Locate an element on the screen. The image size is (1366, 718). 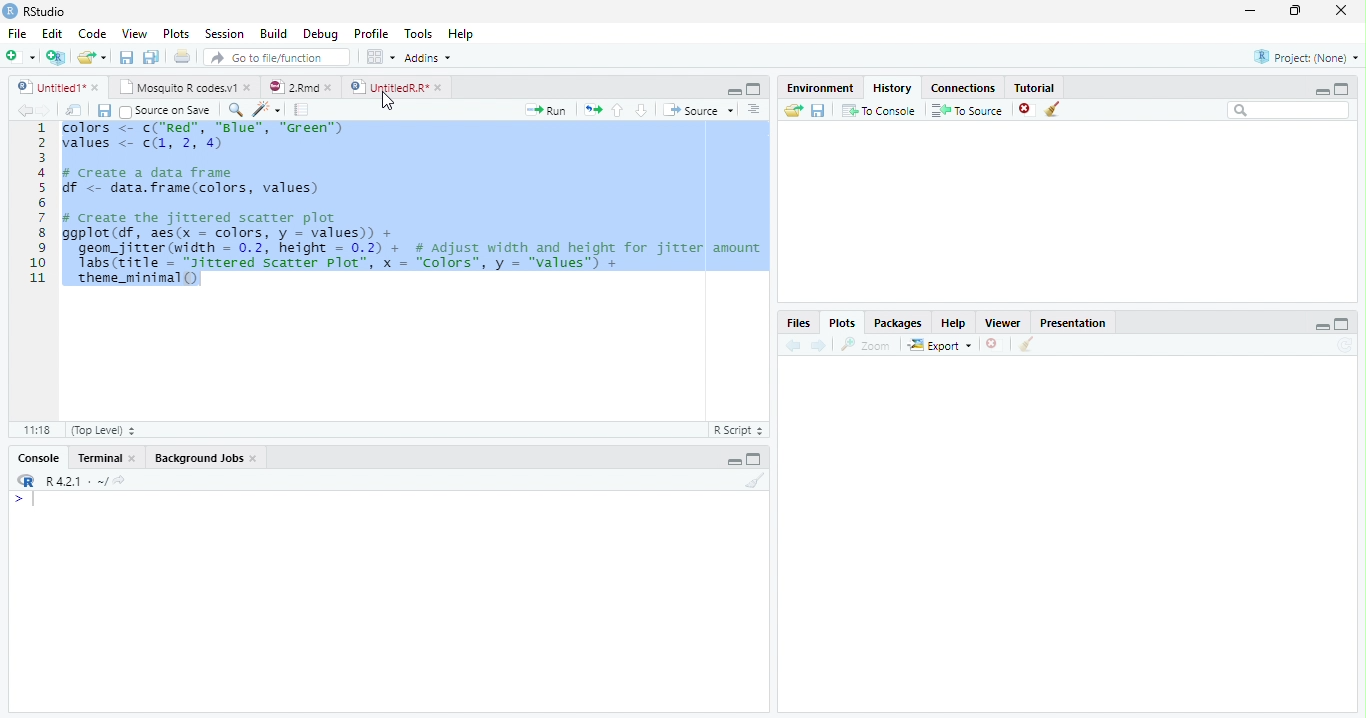
Tools is located at coordinates (418, 33).